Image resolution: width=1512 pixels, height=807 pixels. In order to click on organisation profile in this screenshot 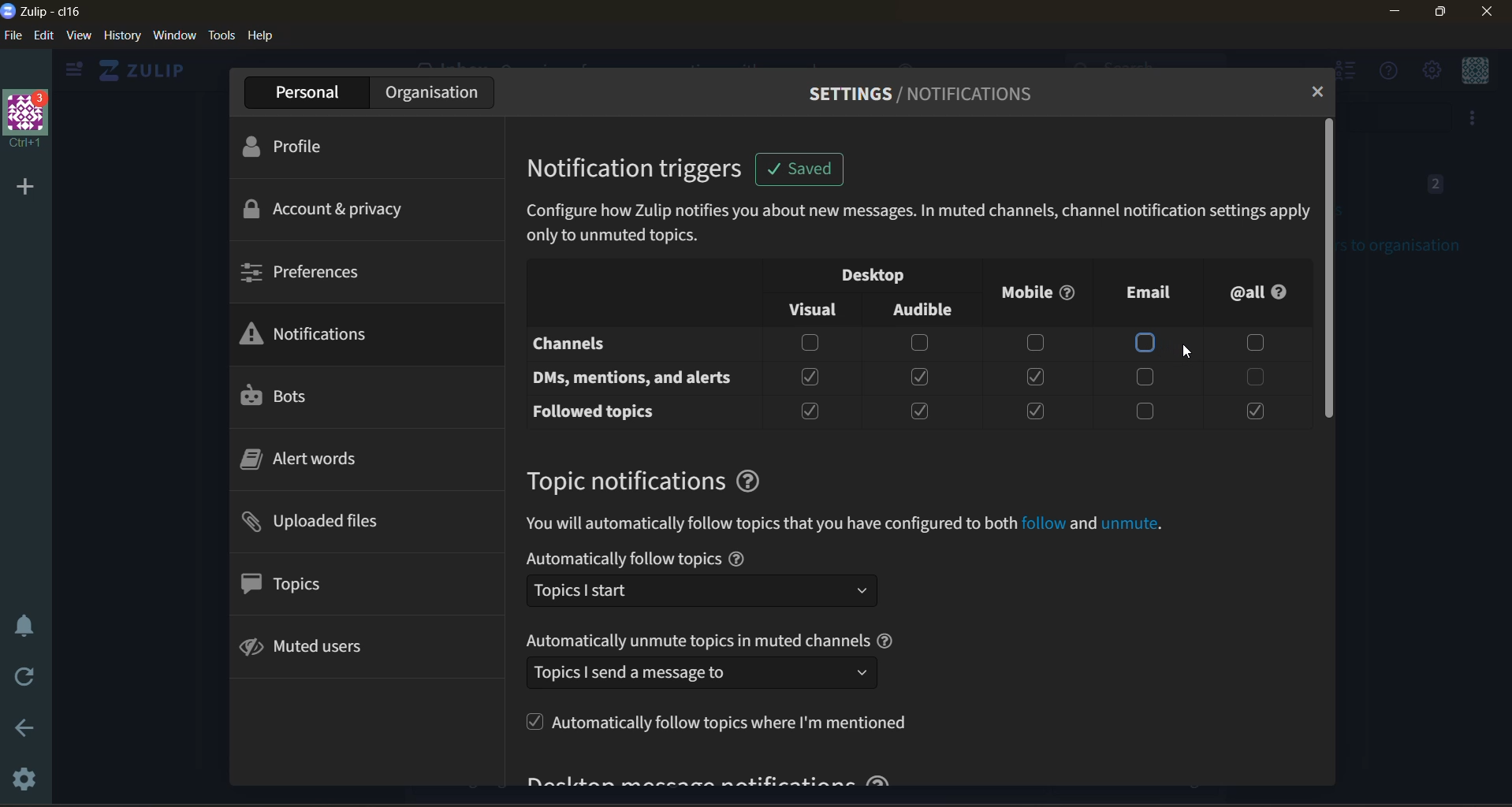, I will do `click(28, 119)`.